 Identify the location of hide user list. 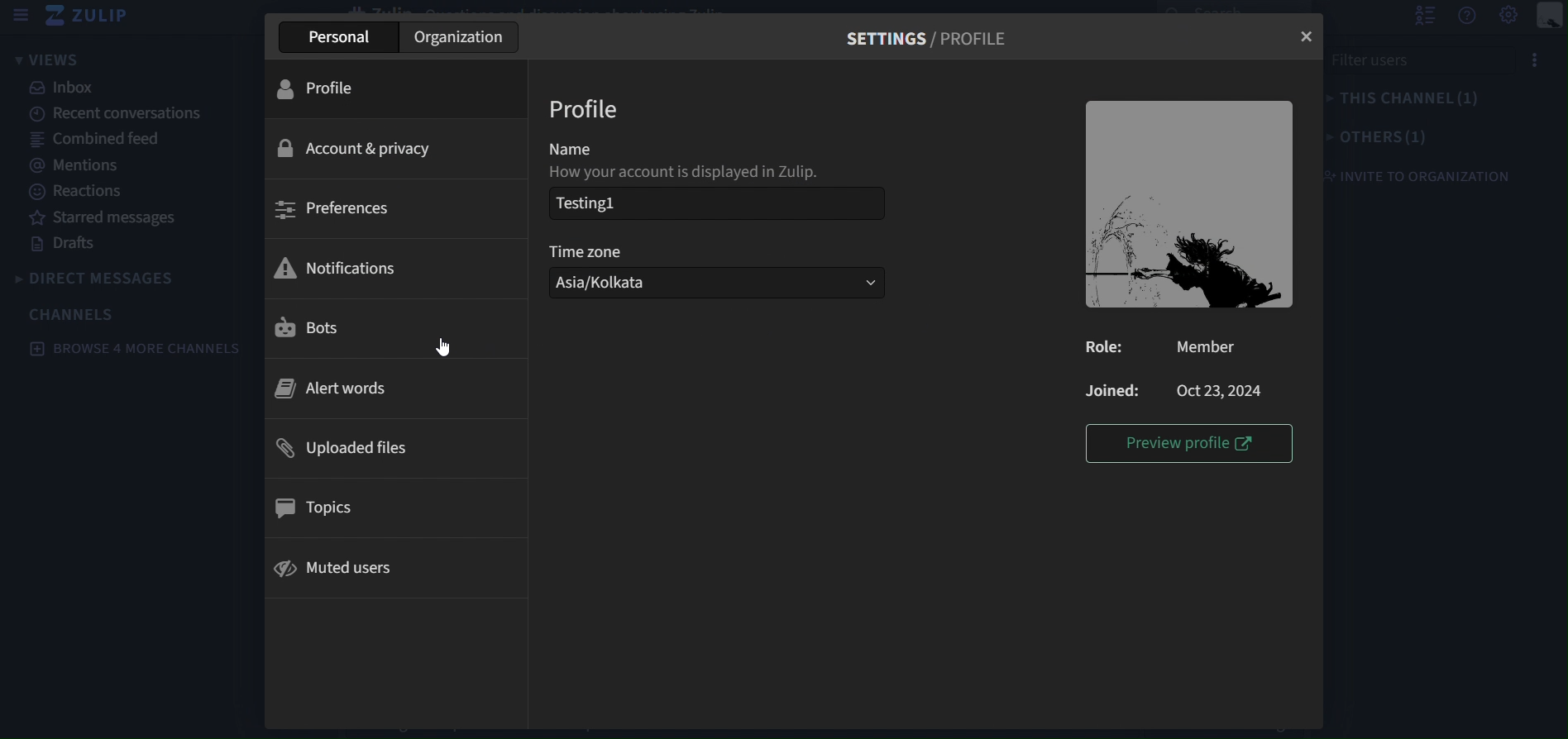
(1423, 16).